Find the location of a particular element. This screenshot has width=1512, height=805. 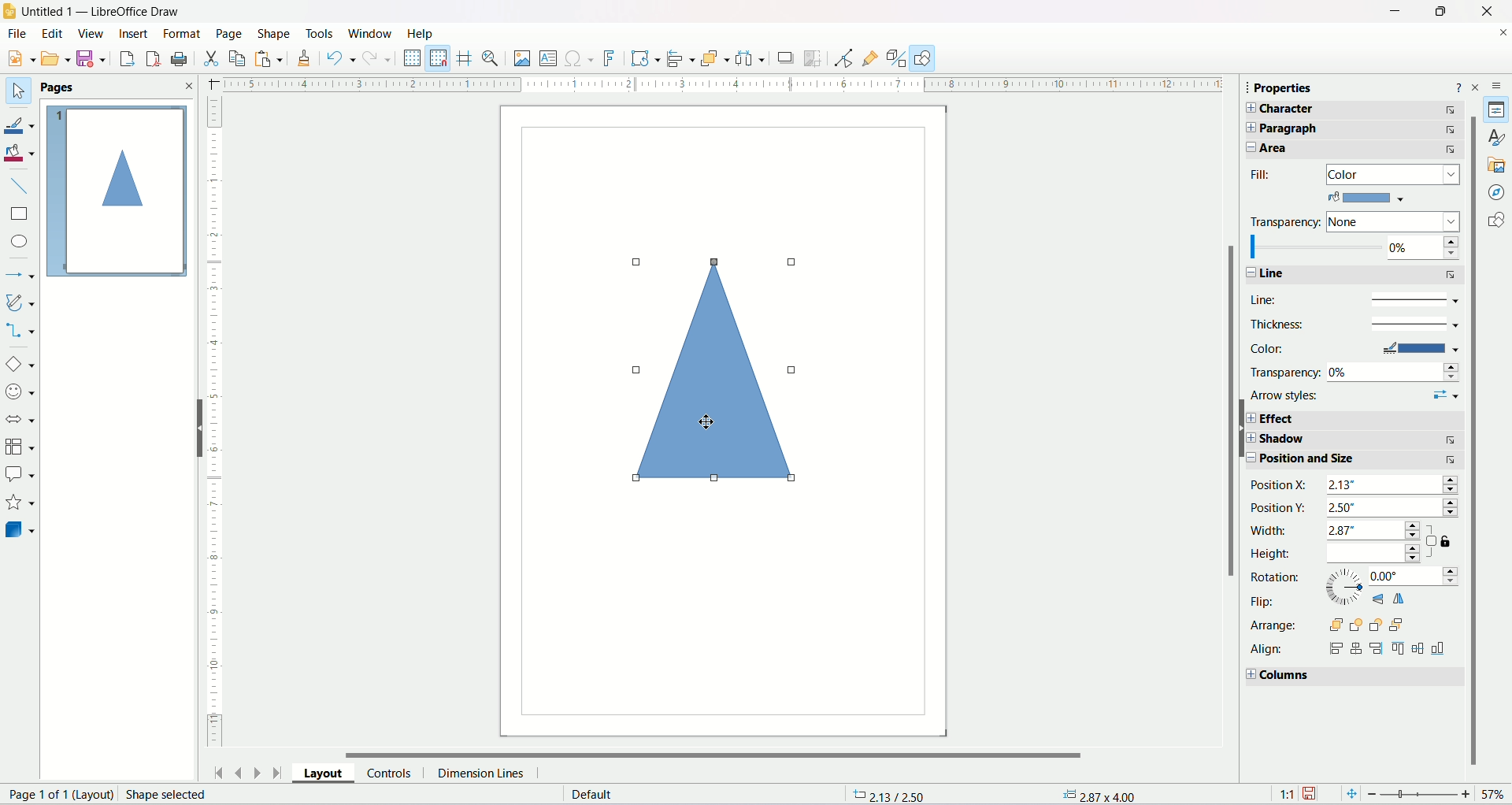

Connectors is located at coordinates (20, 332).